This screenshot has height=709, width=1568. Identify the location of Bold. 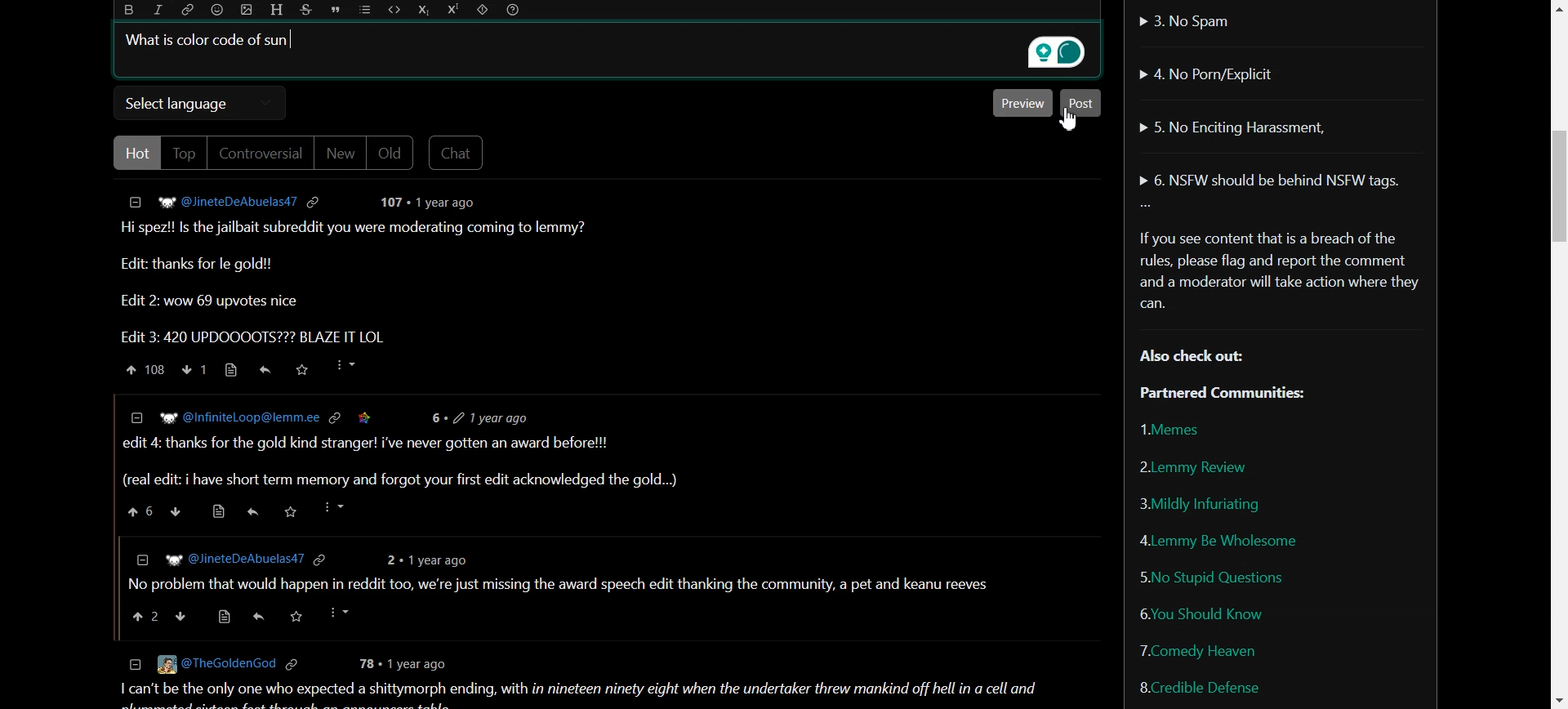
(129, 11).